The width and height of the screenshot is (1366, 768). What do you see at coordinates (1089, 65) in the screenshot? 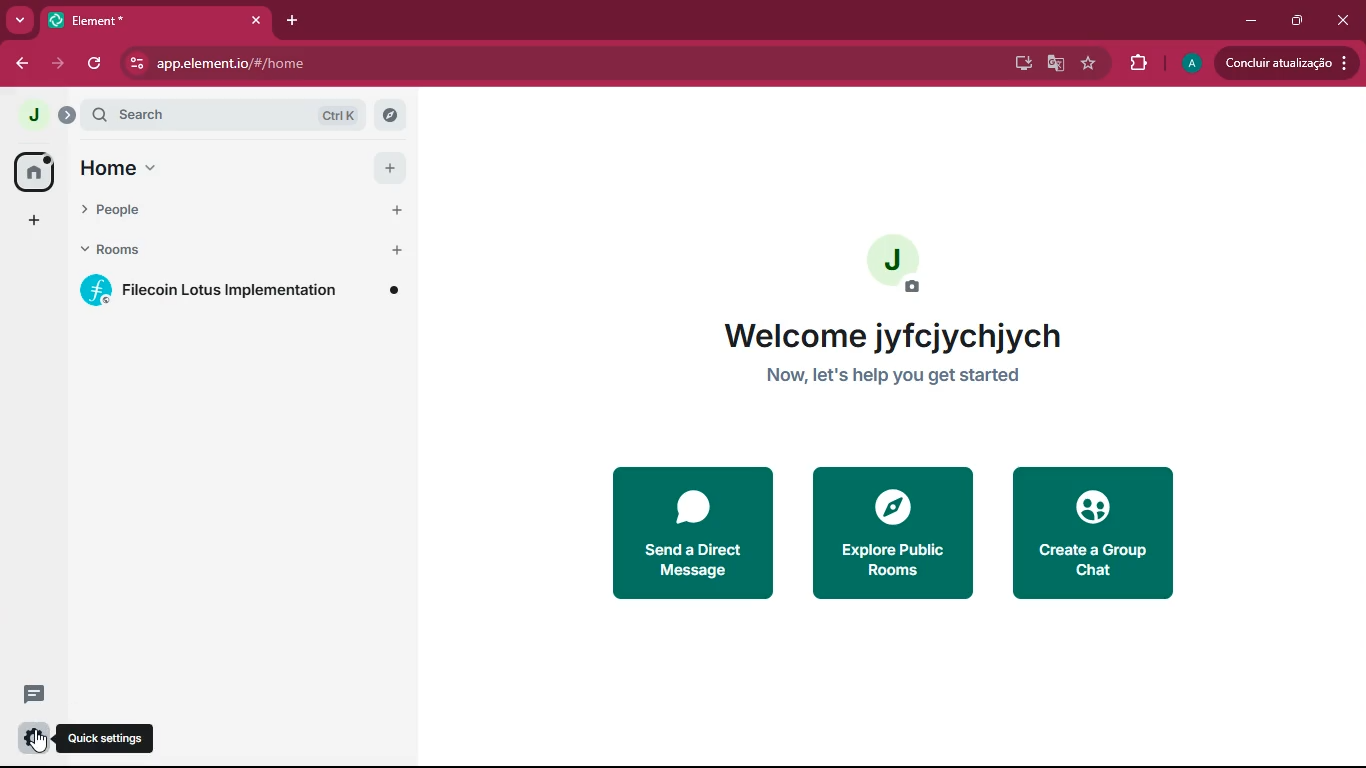
I see `bookmark` at bounding box center [1089, 65].